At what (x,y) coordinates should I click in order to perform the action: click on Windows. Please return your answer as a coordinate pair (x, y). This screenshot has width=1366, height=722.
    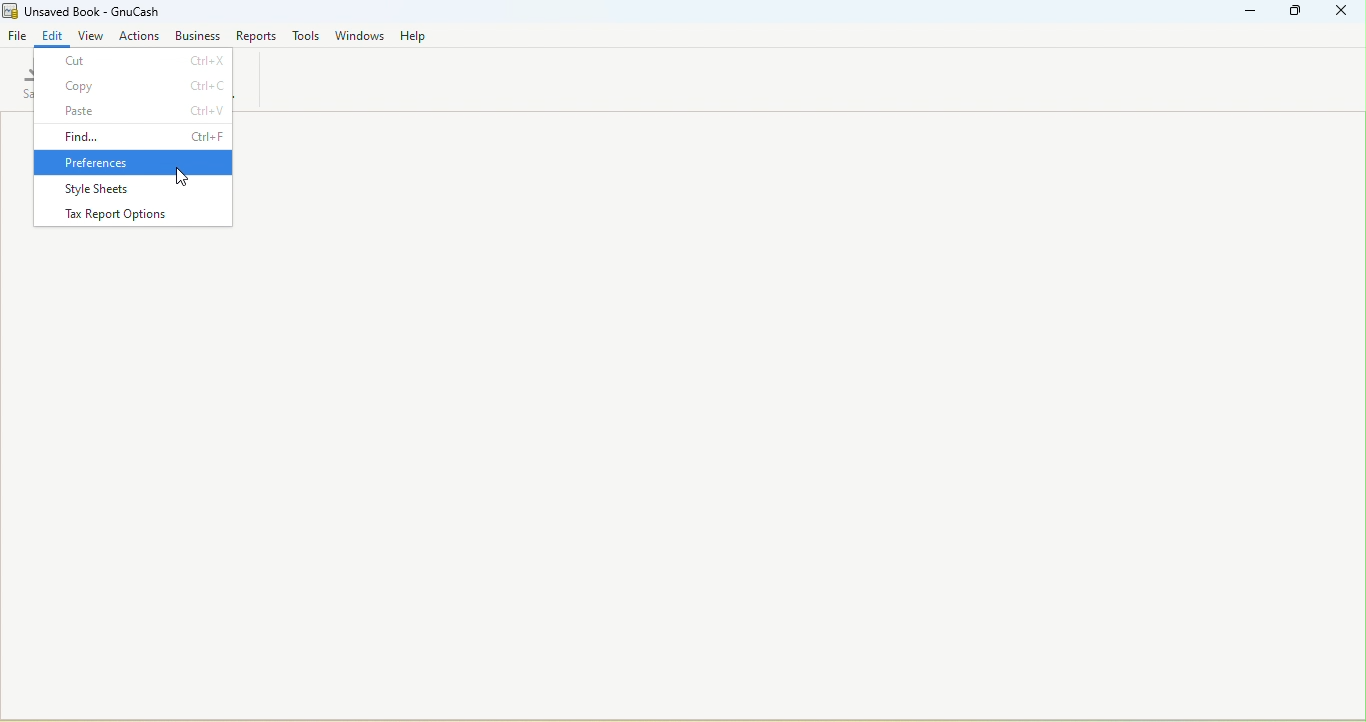
    Looking at the image, I should click on (361, 35).